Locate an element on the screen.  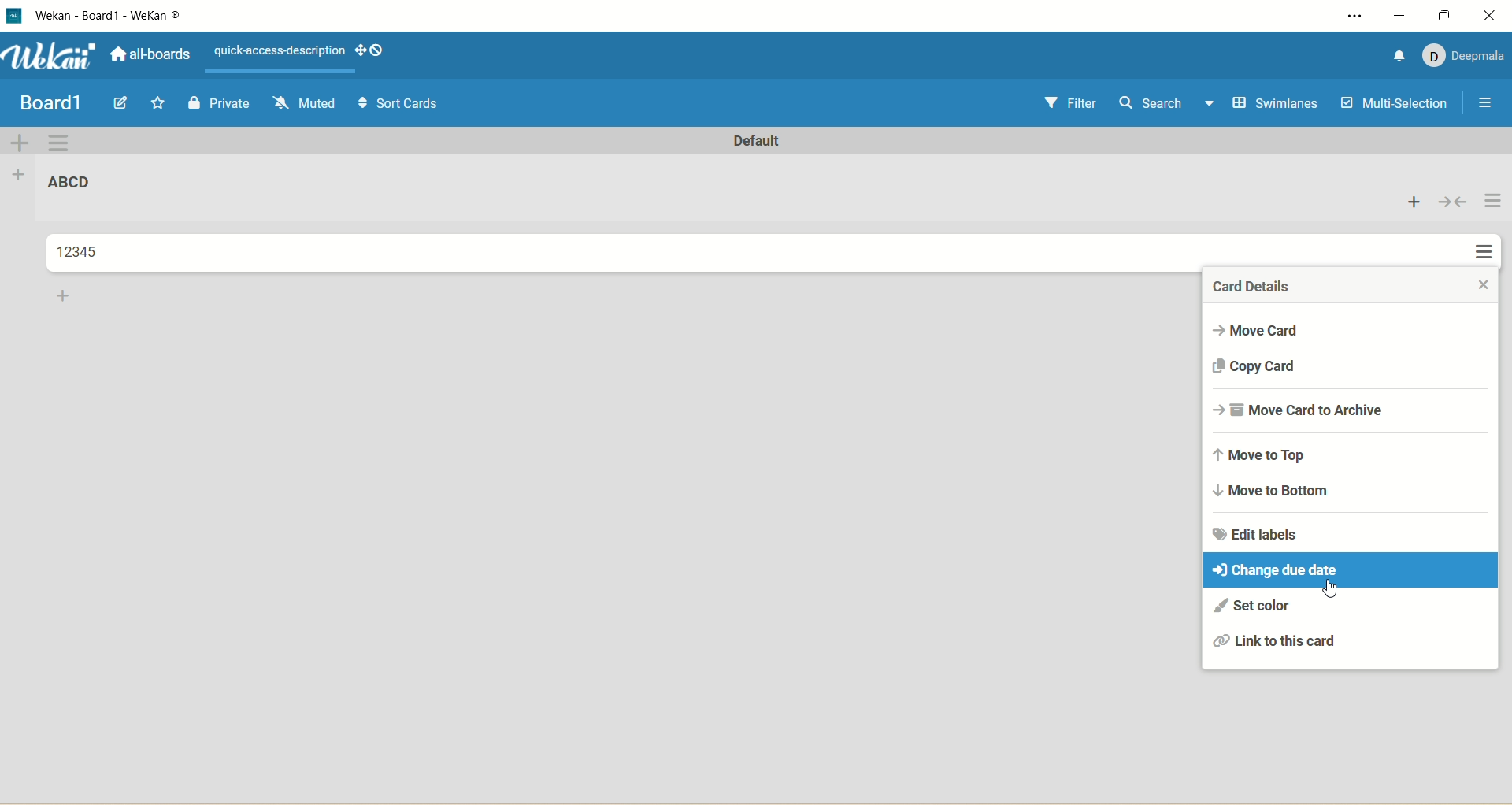
multi-selection is located at coordinates (1395, 106).